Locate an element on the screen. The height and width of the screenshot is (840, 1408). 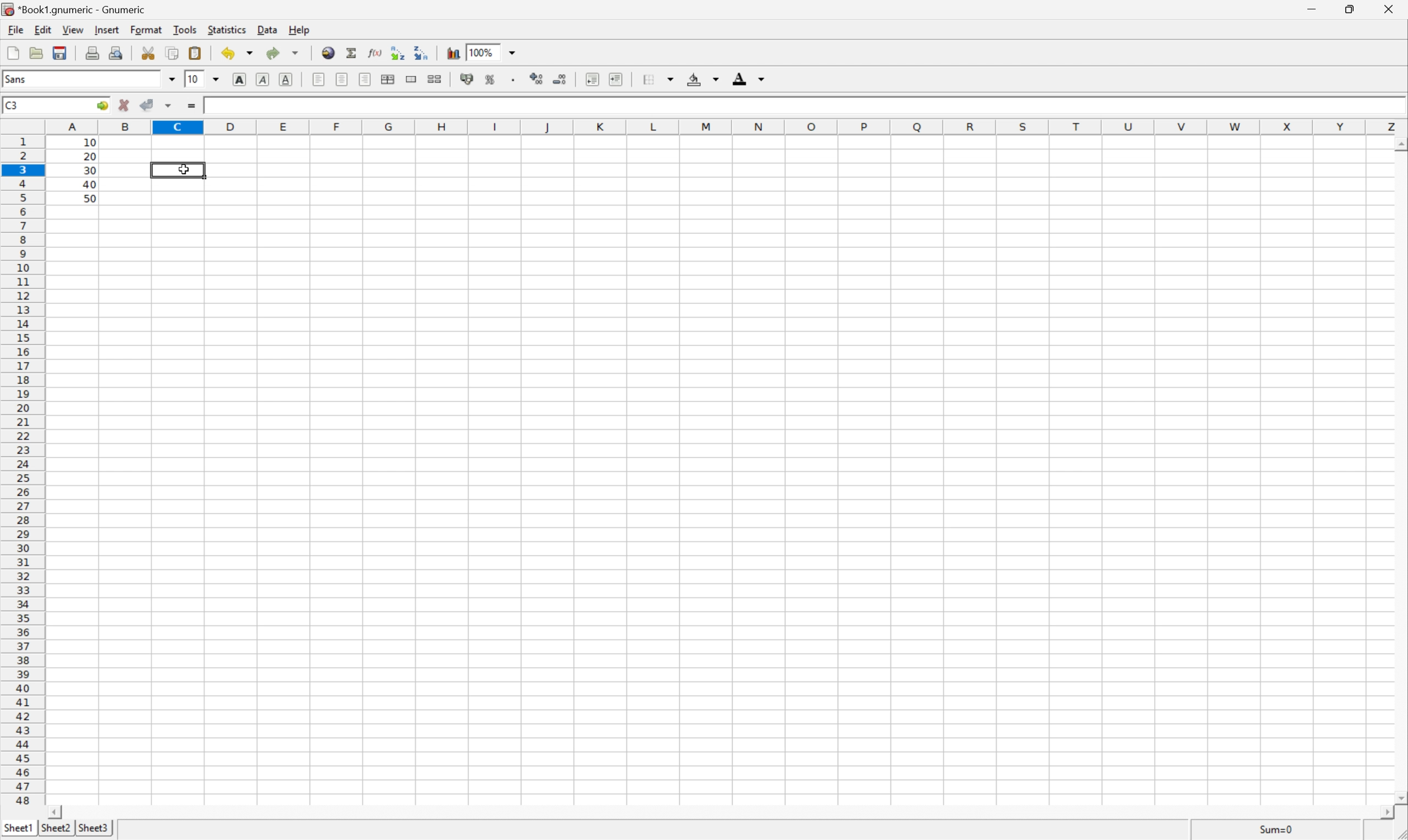
Align right is located at coordinates (365, 79).